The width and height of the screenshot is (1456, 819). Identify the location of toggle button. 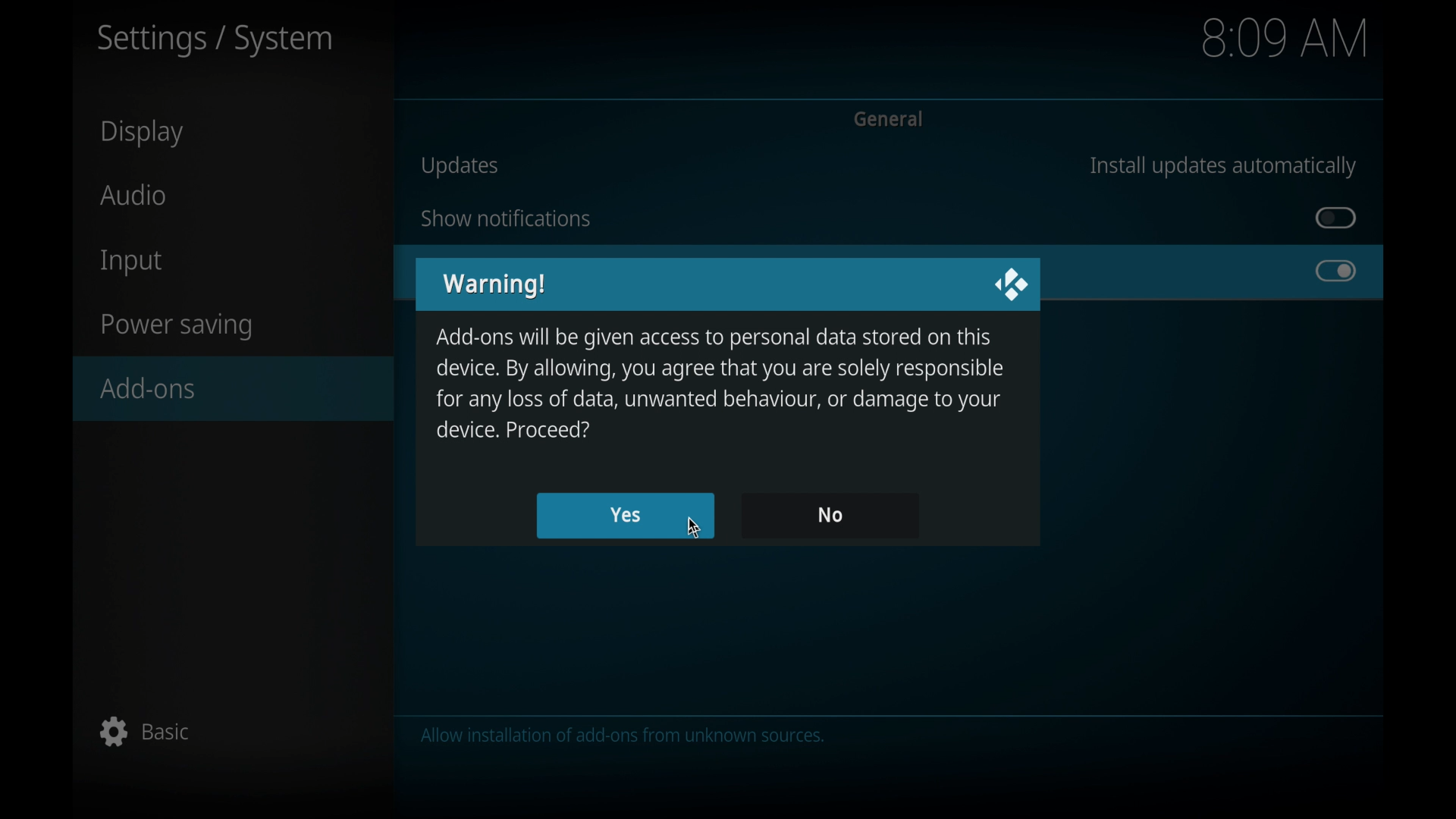
(1337, 271).